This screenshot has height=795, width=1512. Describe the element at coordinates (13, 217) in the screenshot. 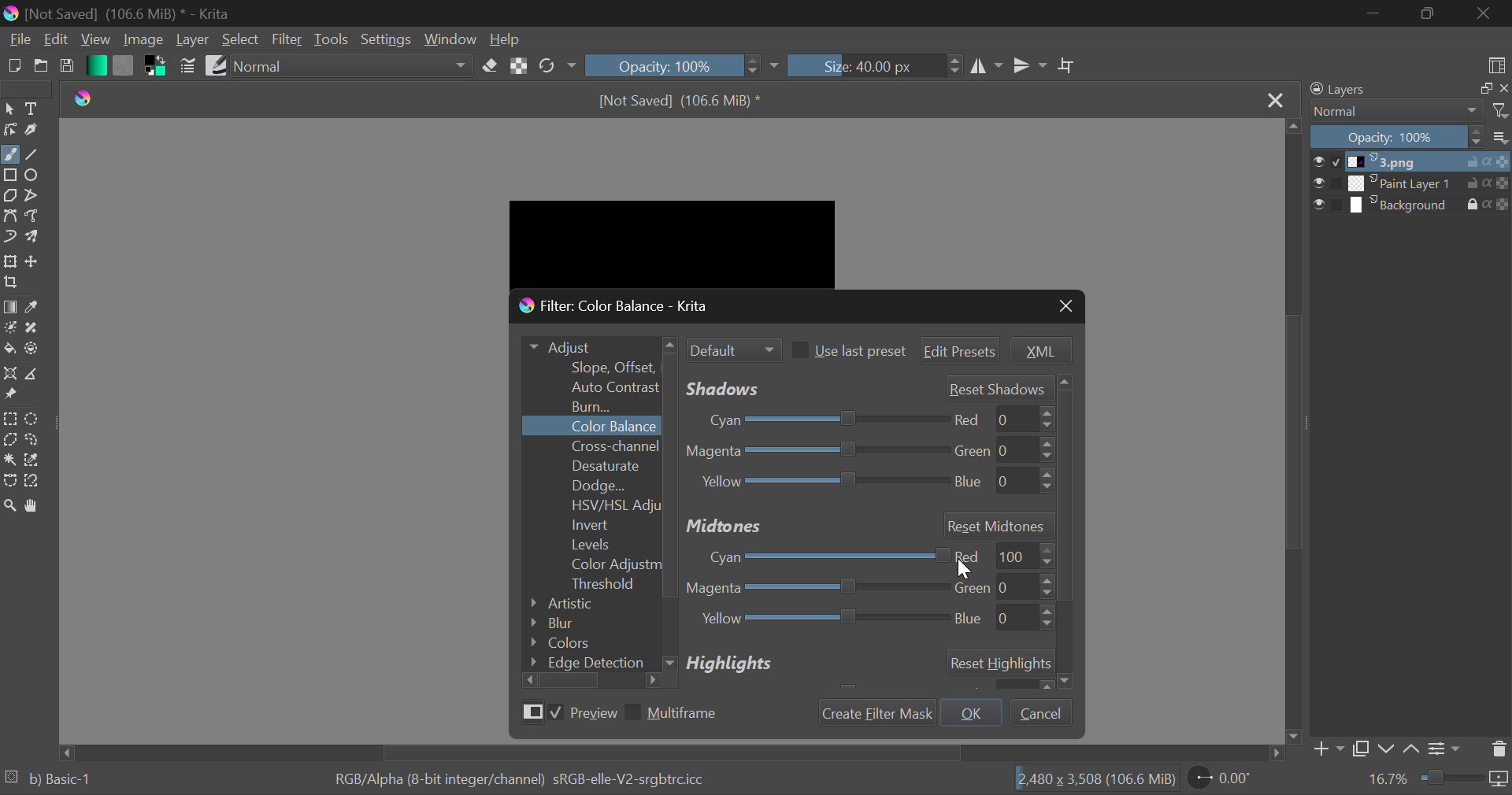

I see `Bezier Curve` at that location.